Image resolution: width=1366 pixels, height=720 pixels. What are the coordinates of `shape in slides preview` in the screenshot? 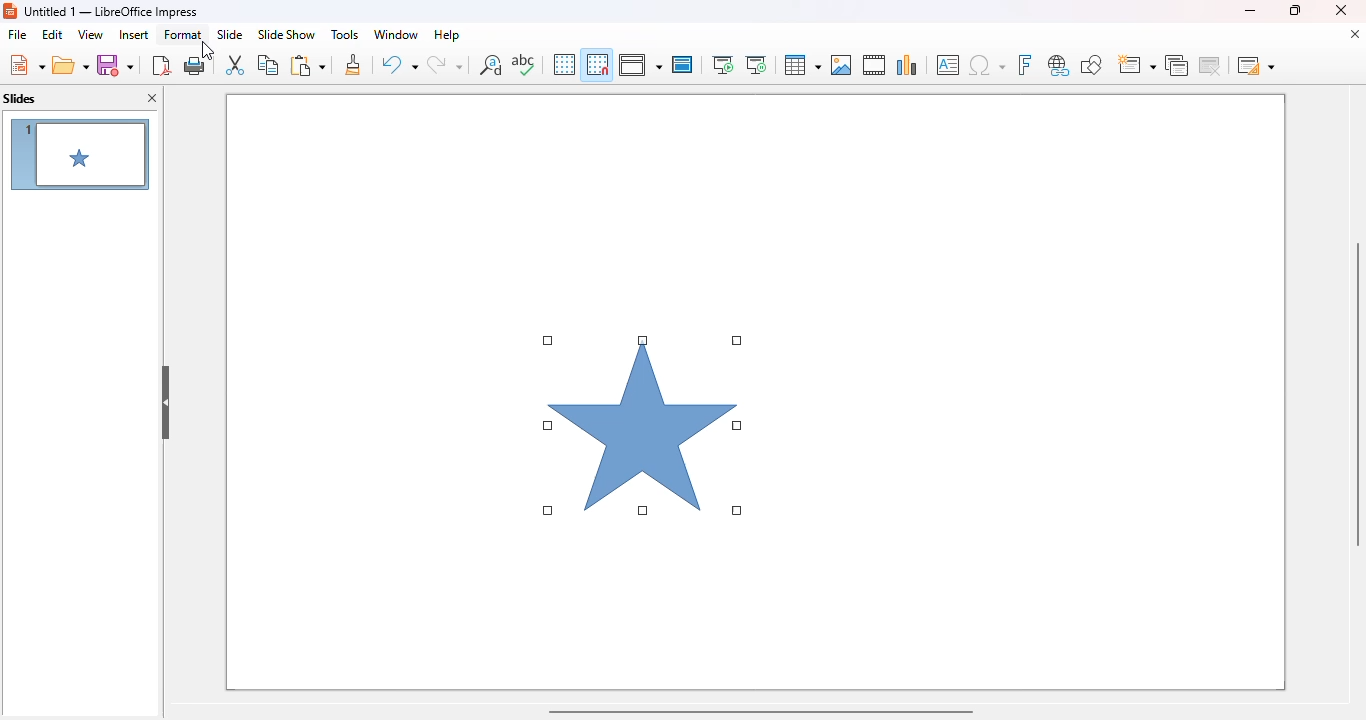 It's located at (79, 154).